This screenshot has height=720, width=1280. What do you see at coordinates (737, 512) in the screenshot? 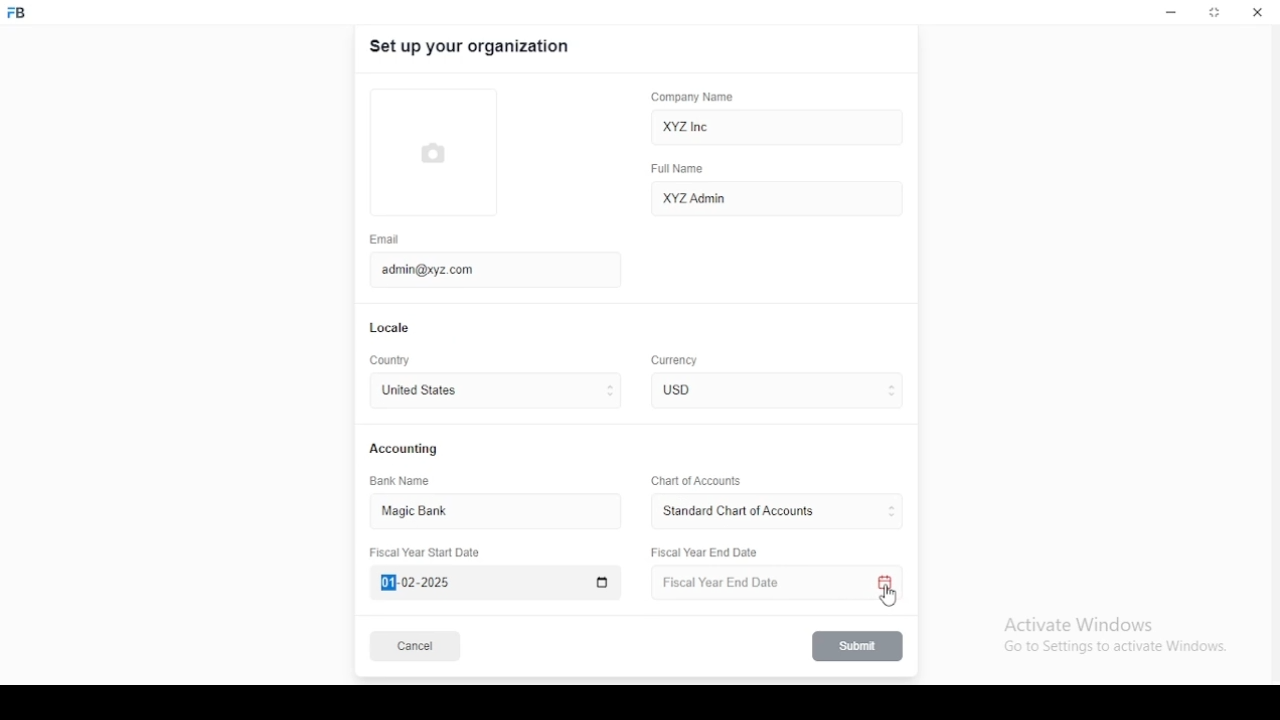
I see `L ‘Standard Chart of Accounts` at bounding box center [737, 512].